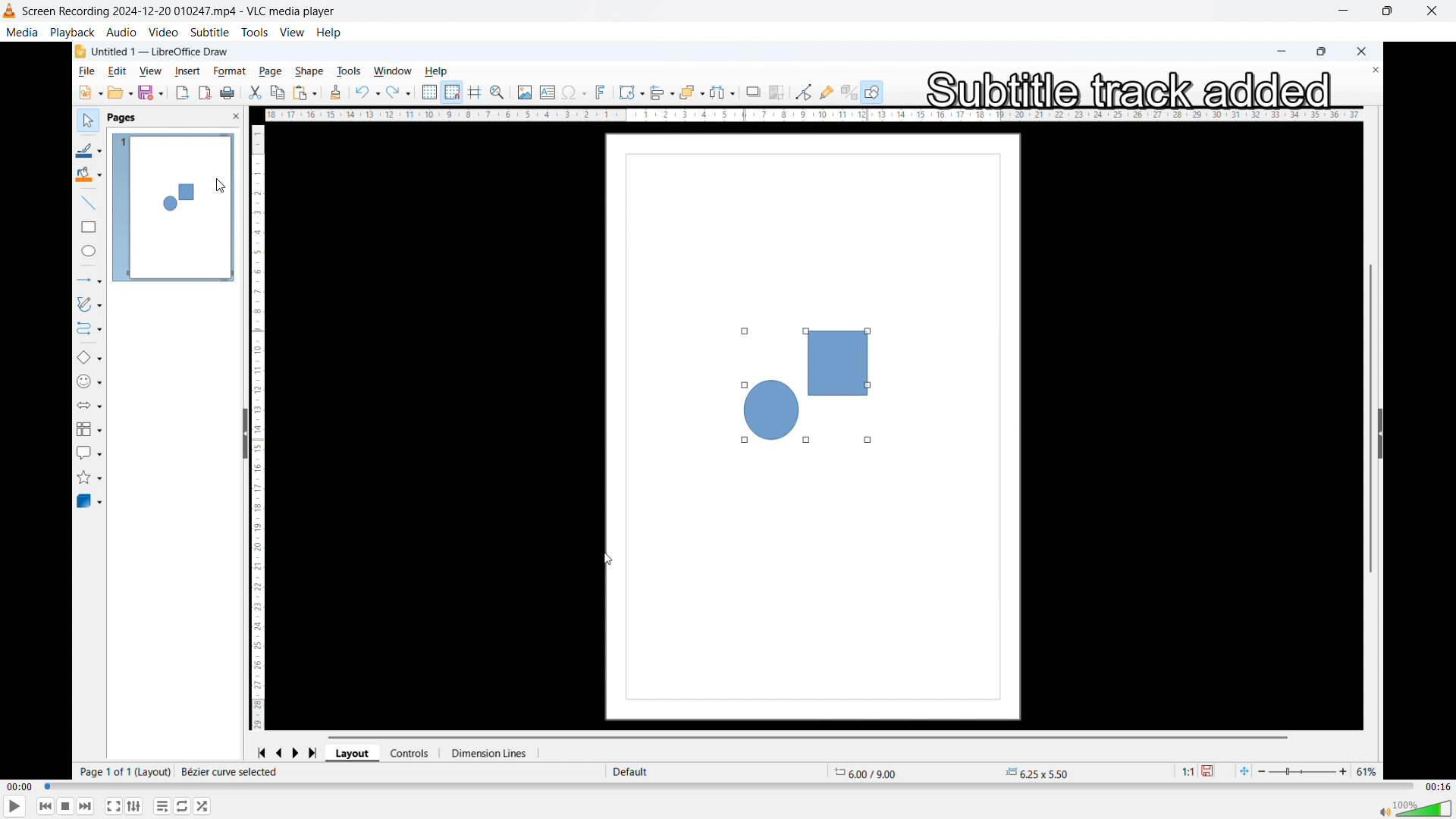 The image size is (1456, 819). What do you see at coordinates (83, 72) in the screenshot?
I see `file` at bounding box center [83, 72].